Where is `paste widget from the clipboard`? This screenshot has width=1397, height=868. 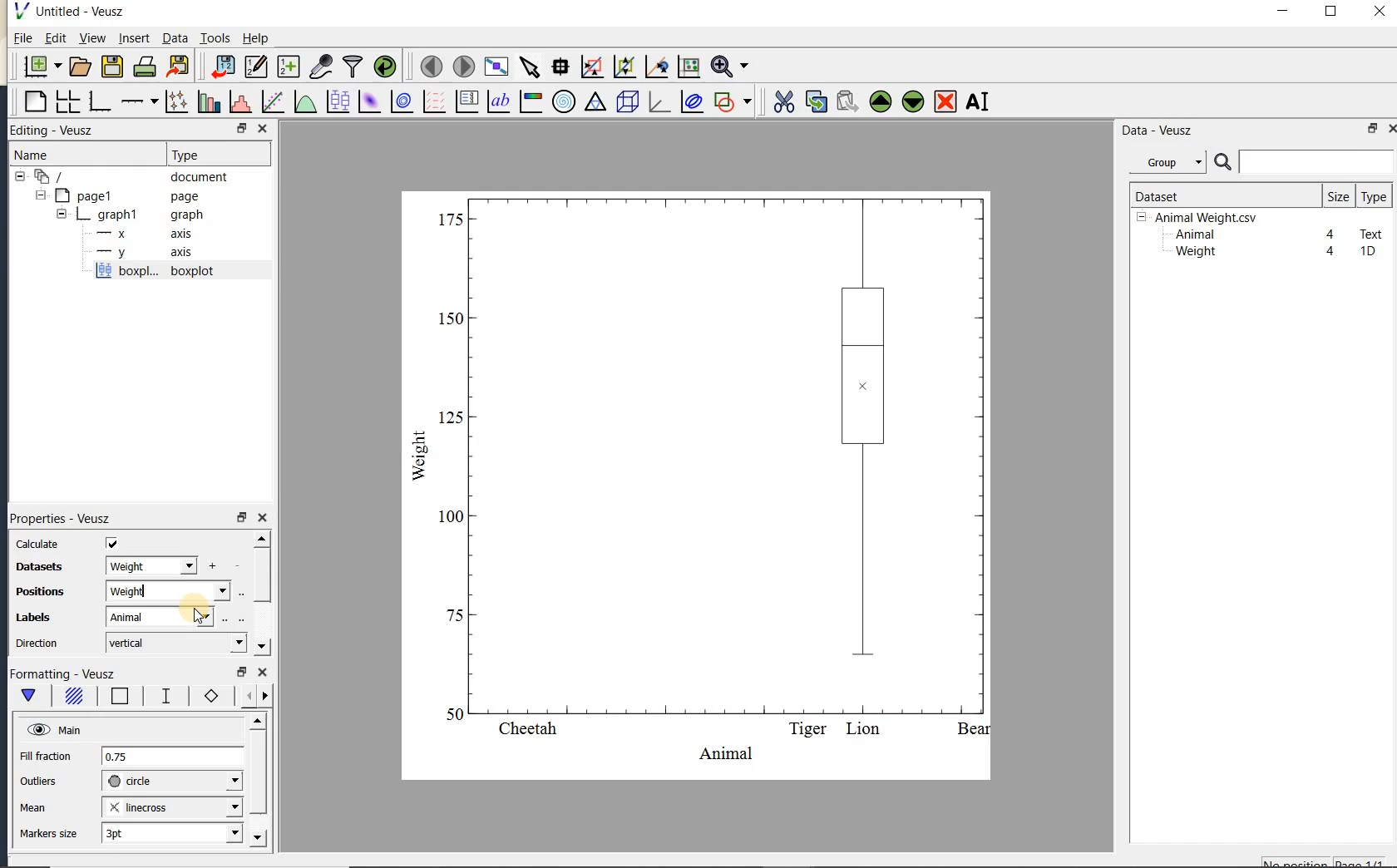
paste widget from the clipboard is located at coordinates (847, 103).